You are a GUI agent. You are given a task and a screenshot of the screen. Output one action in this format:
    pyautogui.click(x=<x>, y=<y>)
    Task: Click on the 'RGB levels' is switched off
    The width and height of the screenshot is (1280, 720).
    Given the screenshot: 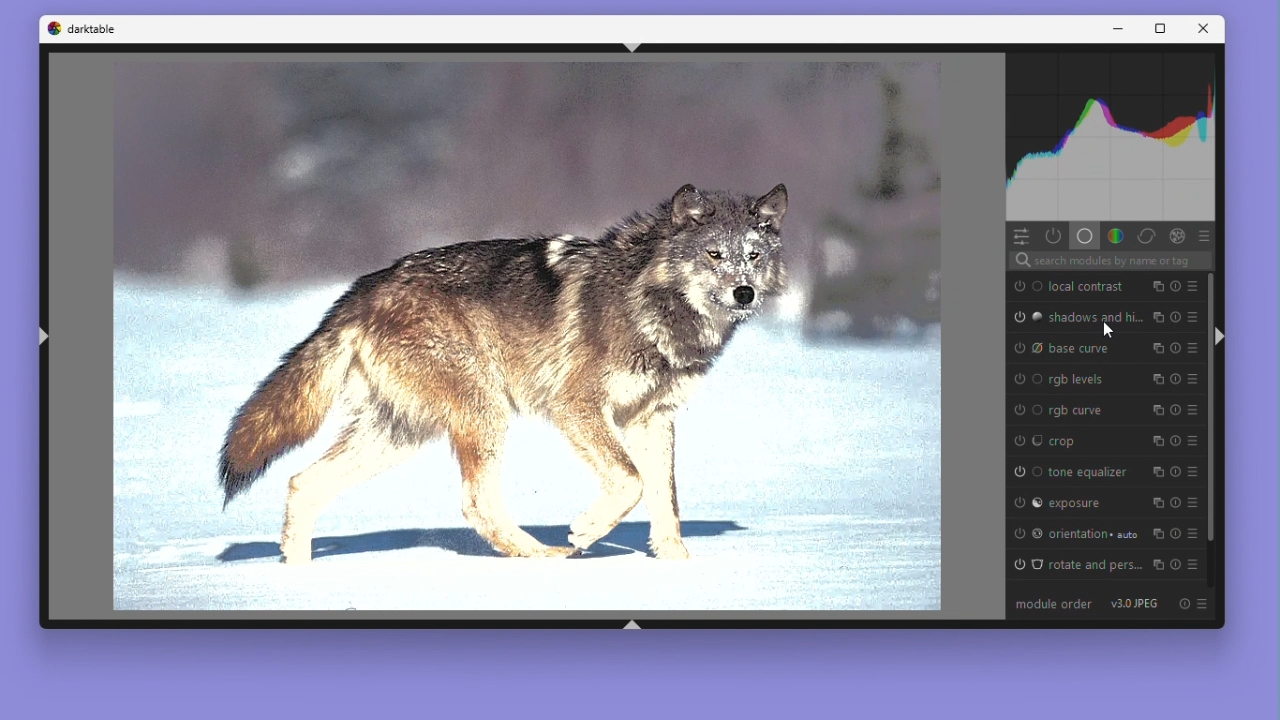 What is the action you would take?
    pyautogui.click(x=1022, y=378)
    